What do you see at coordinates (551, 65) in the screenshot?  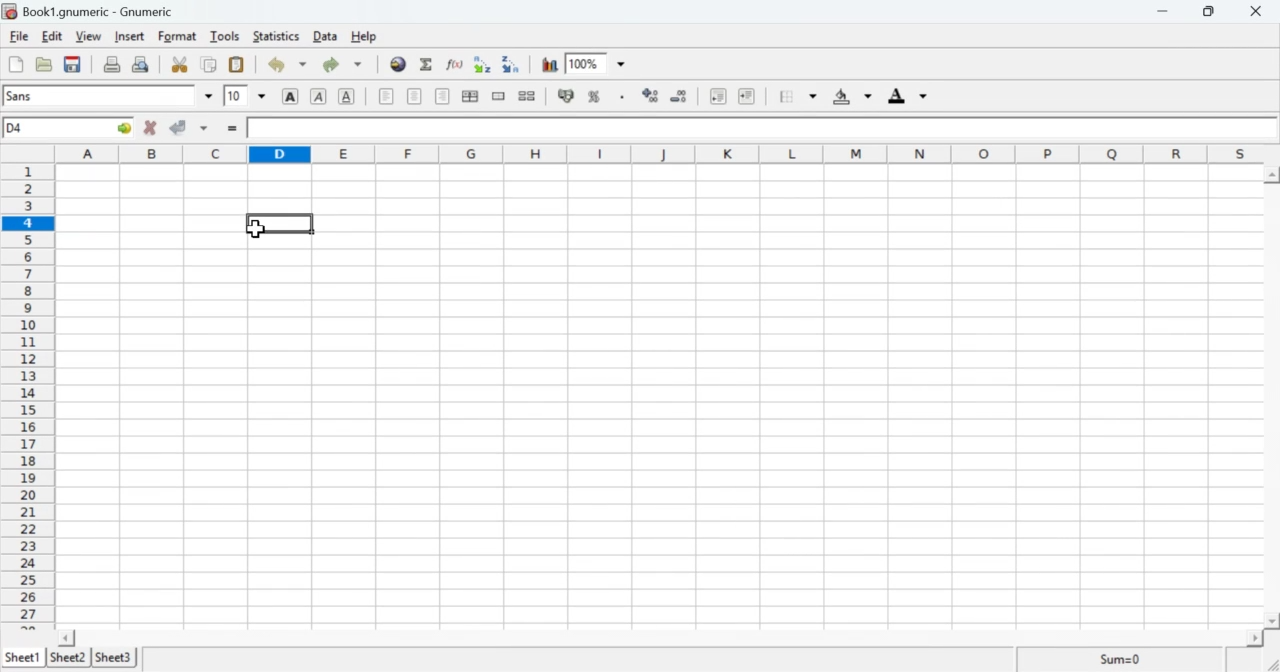 I see `Chart` at bounding box center [551, 65].